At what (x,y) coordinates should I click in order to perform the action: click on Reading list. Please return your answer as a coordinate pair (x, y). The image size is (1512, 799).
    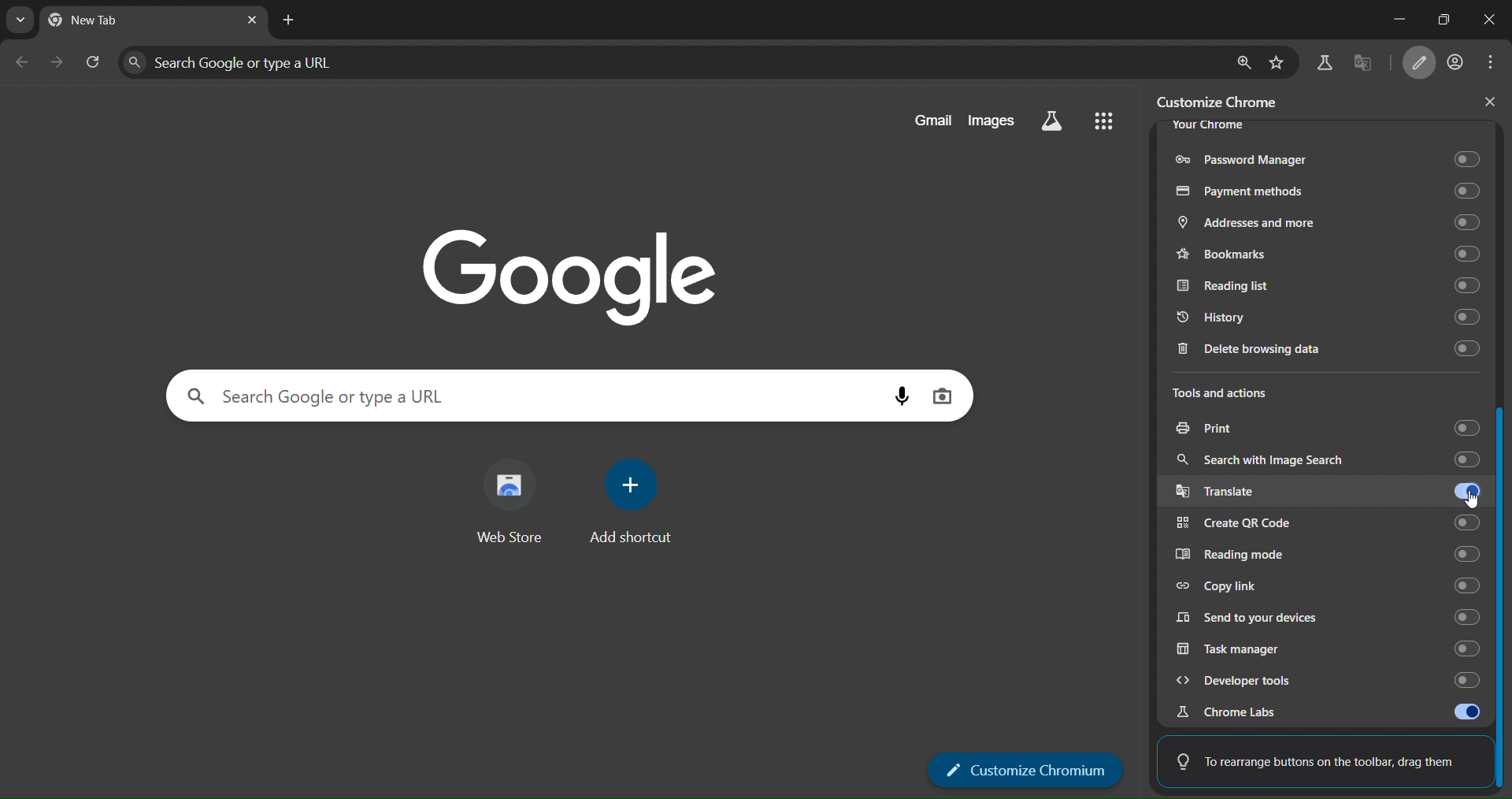
    Looking at the image, I should click on (1323, 284).